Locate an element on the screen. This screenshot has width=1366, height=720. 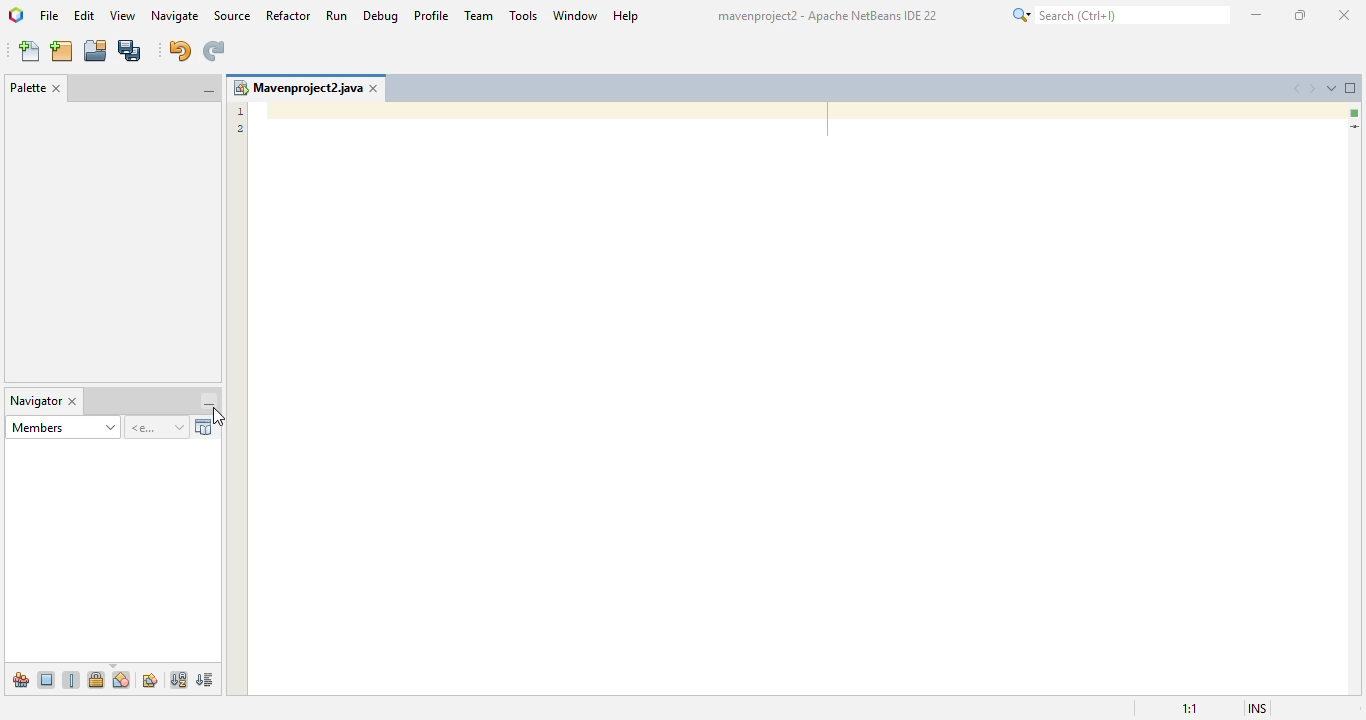
sort by source is located at coordinates (206, 679).